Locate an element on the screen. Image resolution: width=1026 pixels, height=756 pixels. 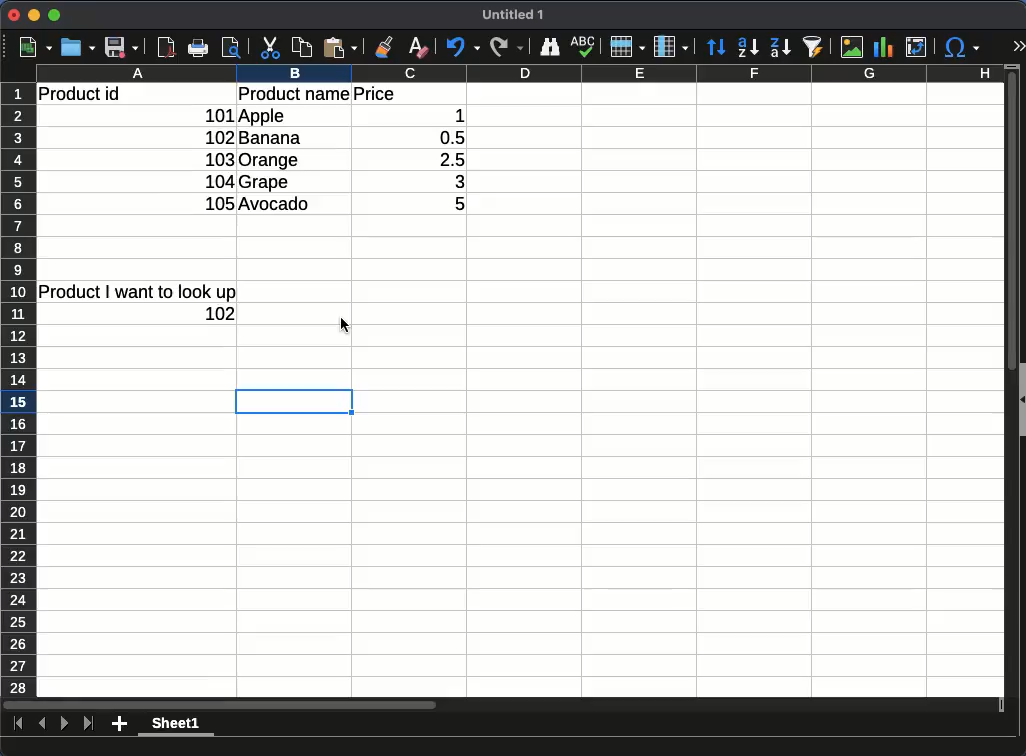
finder is located at coordinates (550, 47).